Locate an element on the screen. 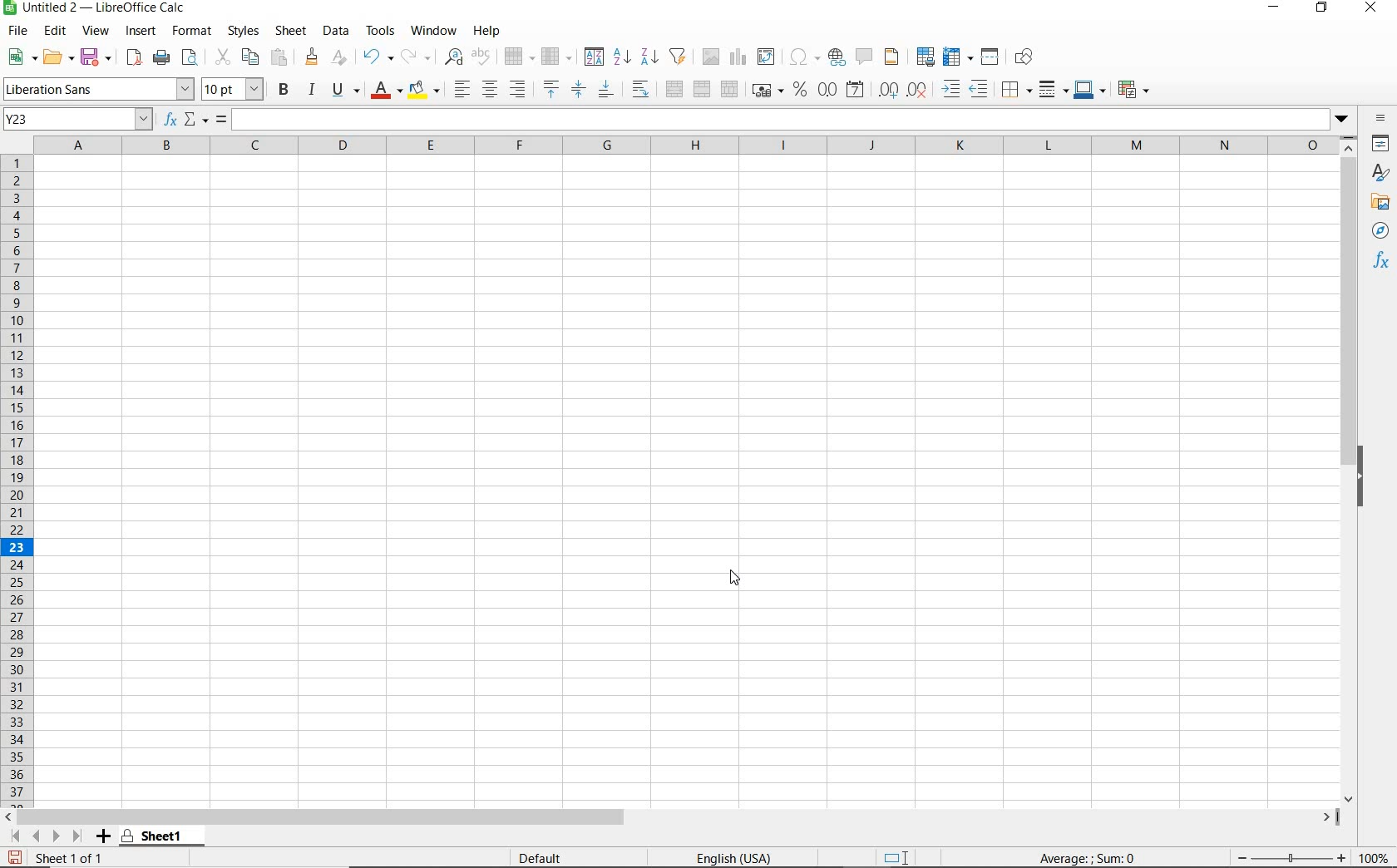 Image resolution: width=1397 pixels, height=868 pixels. INSERT SPECIAL CHARACTERS is located at coordinates (804, 57).